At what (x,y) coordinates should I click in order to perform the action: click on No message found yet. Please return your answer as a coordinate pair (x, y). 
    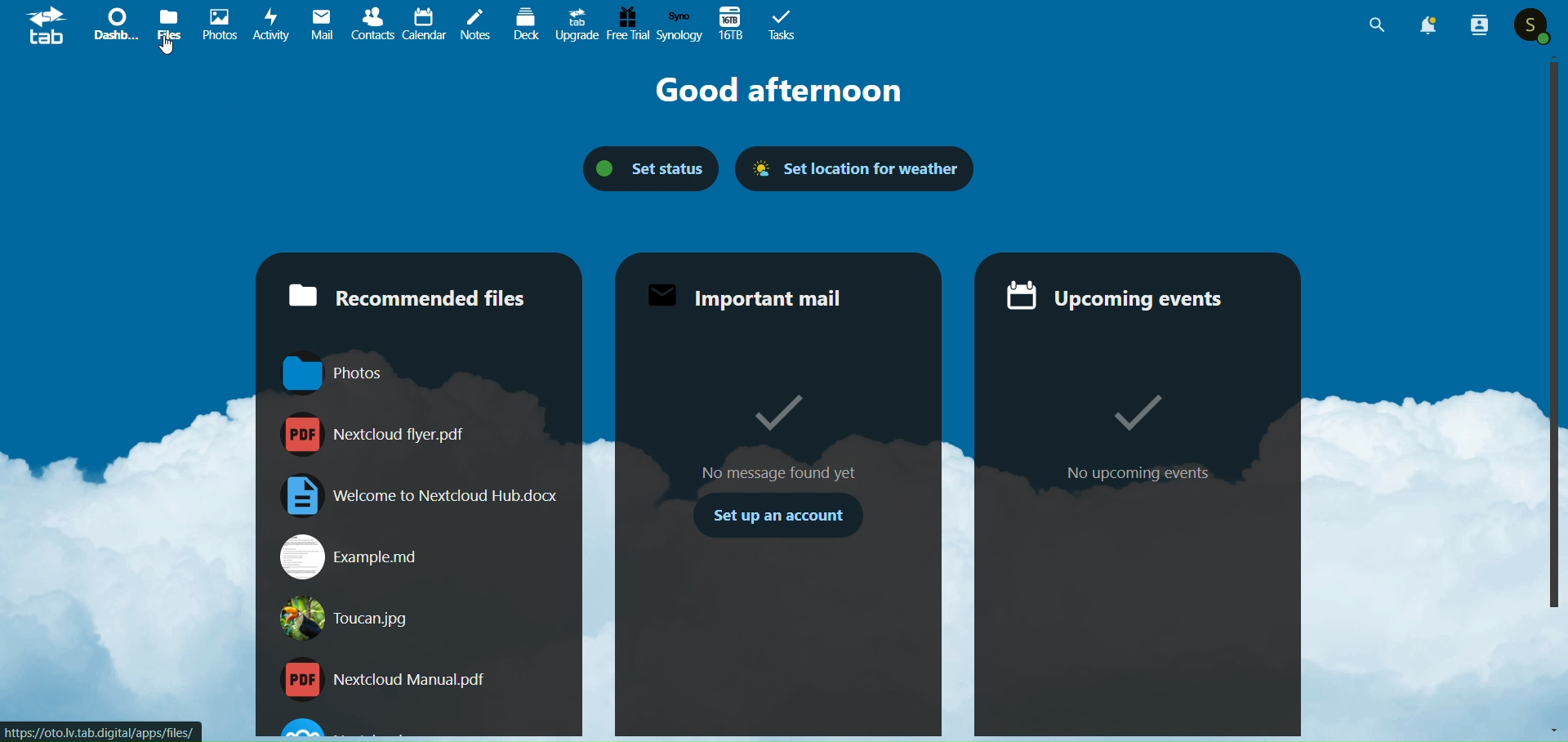
    Looking at the image, I should click on (782, 473).